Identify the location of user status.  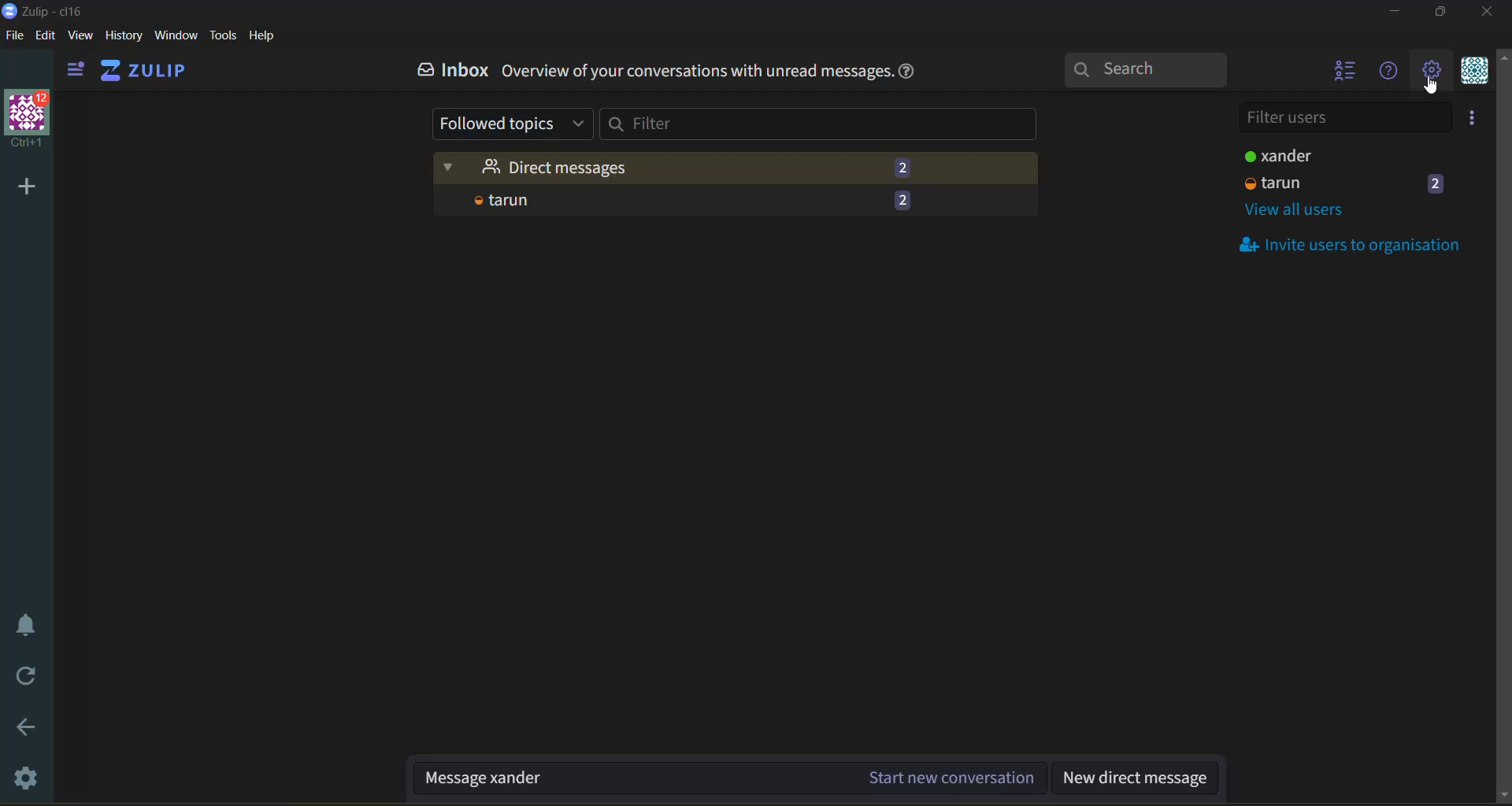
(1316, 158).